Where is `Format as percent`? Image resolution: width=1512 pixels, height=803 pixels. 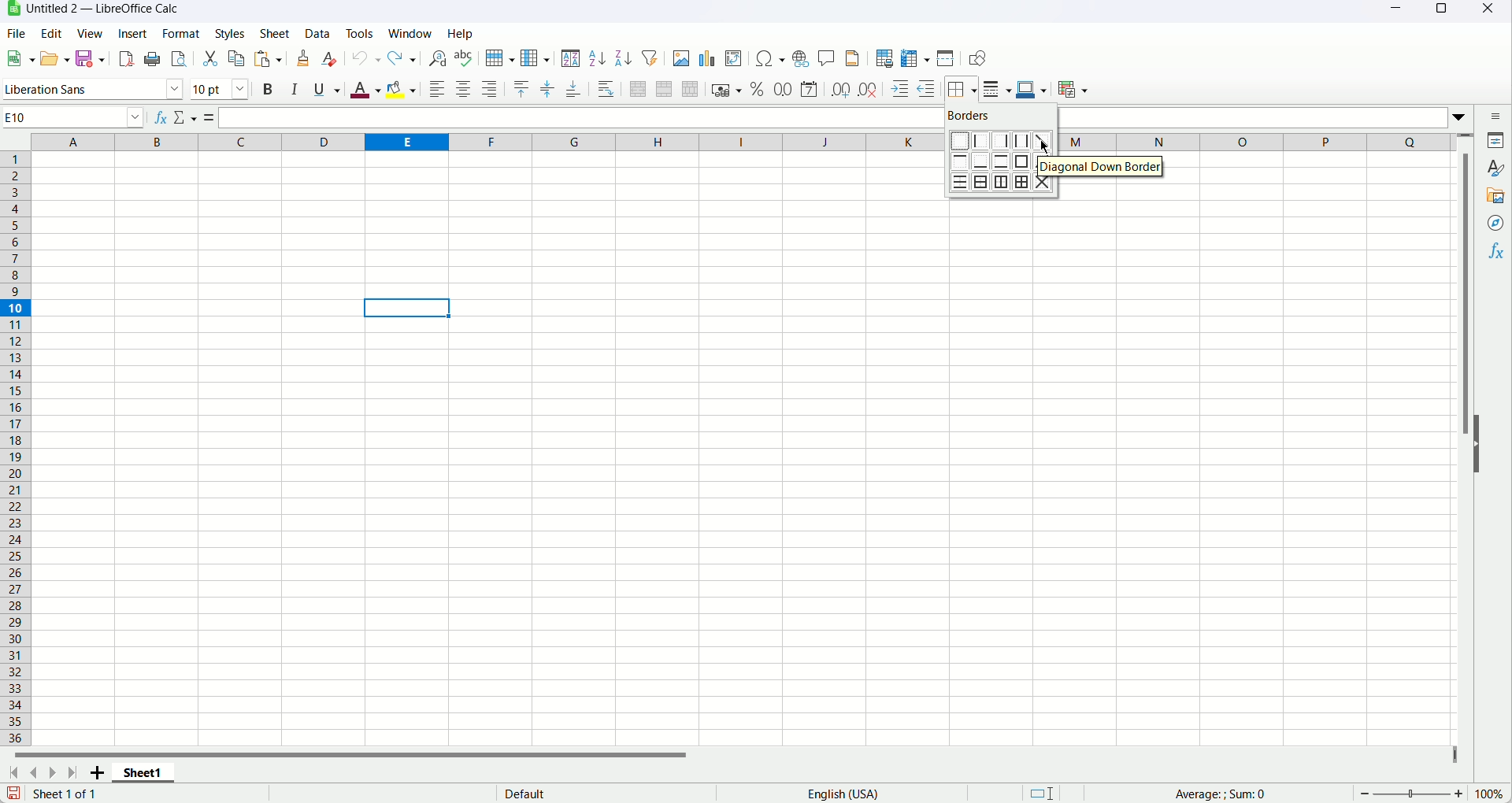 Format as percent is located at coordinates (758, 89).